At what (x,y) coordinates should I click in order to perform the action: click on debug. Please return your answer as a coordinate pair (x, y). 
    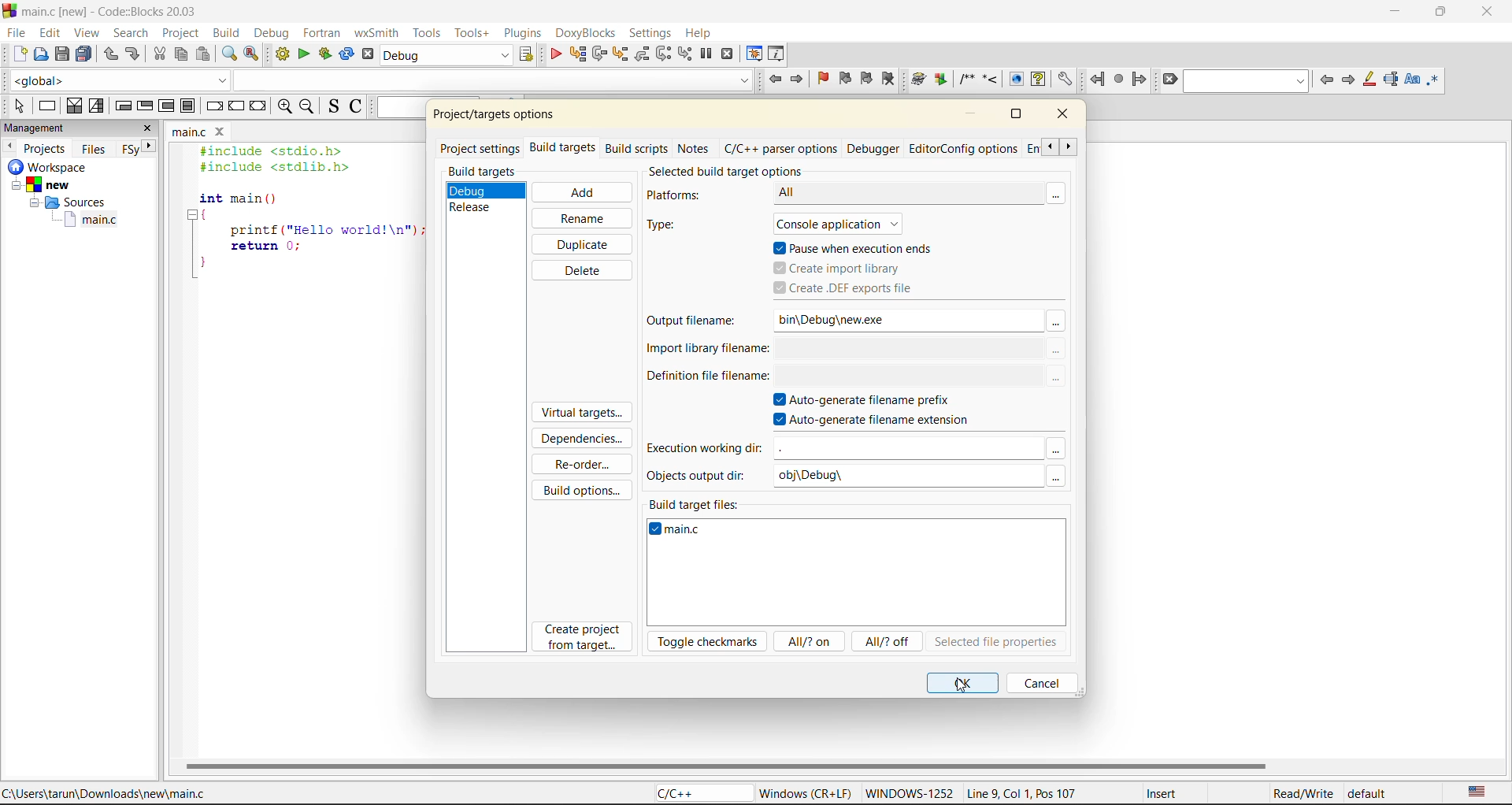
    Looking at the image, I should click on (554, 54).